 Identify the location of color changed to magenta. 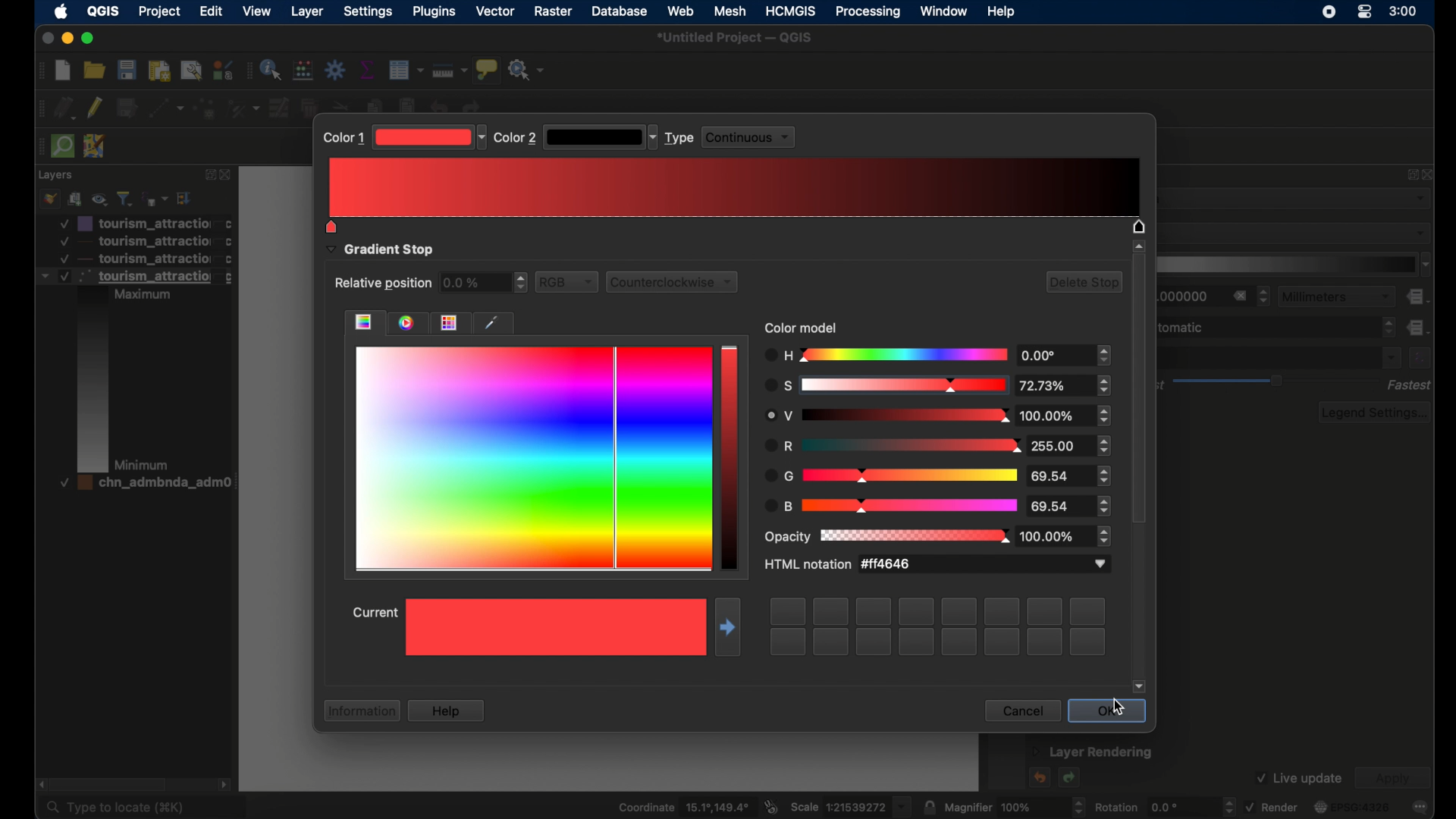
(734, 194).